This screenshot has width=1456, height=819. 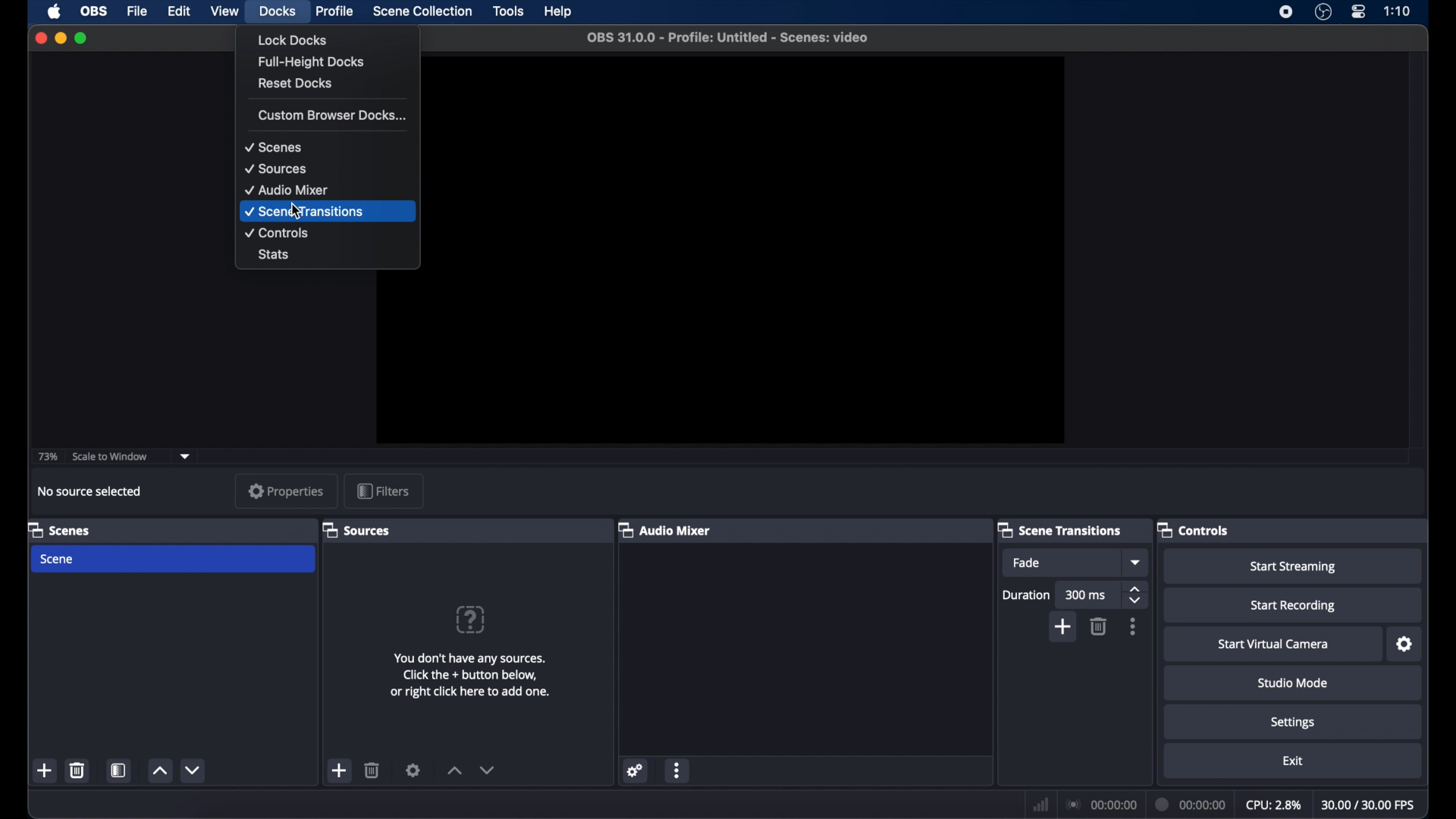 What do you see at coordinates (1398, 11) in the screenshot?
I see `time` at bounding box center [1398, 11].